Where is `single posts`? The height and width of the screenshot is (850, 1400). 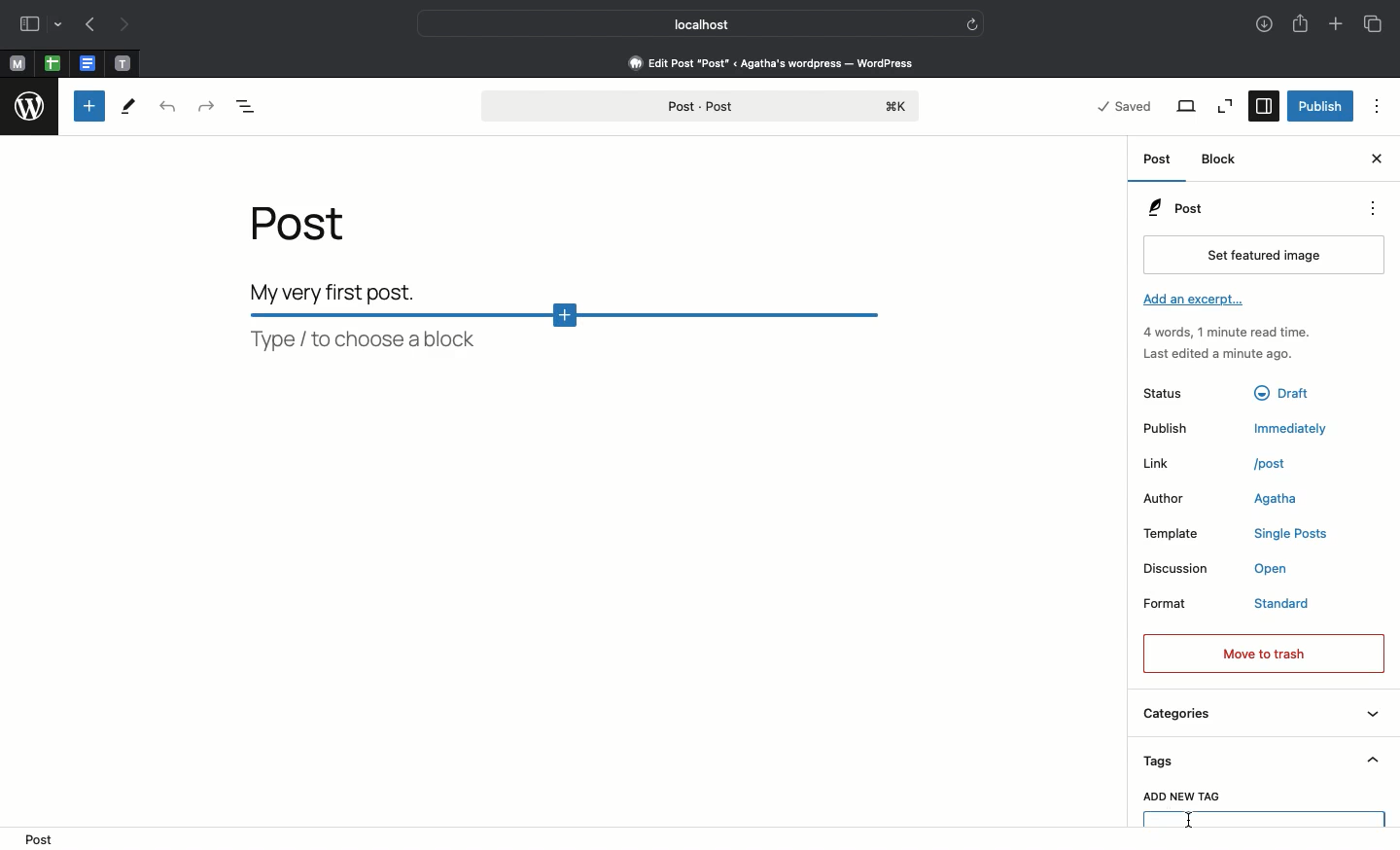 single posts is located at coordinates (1289, 531).